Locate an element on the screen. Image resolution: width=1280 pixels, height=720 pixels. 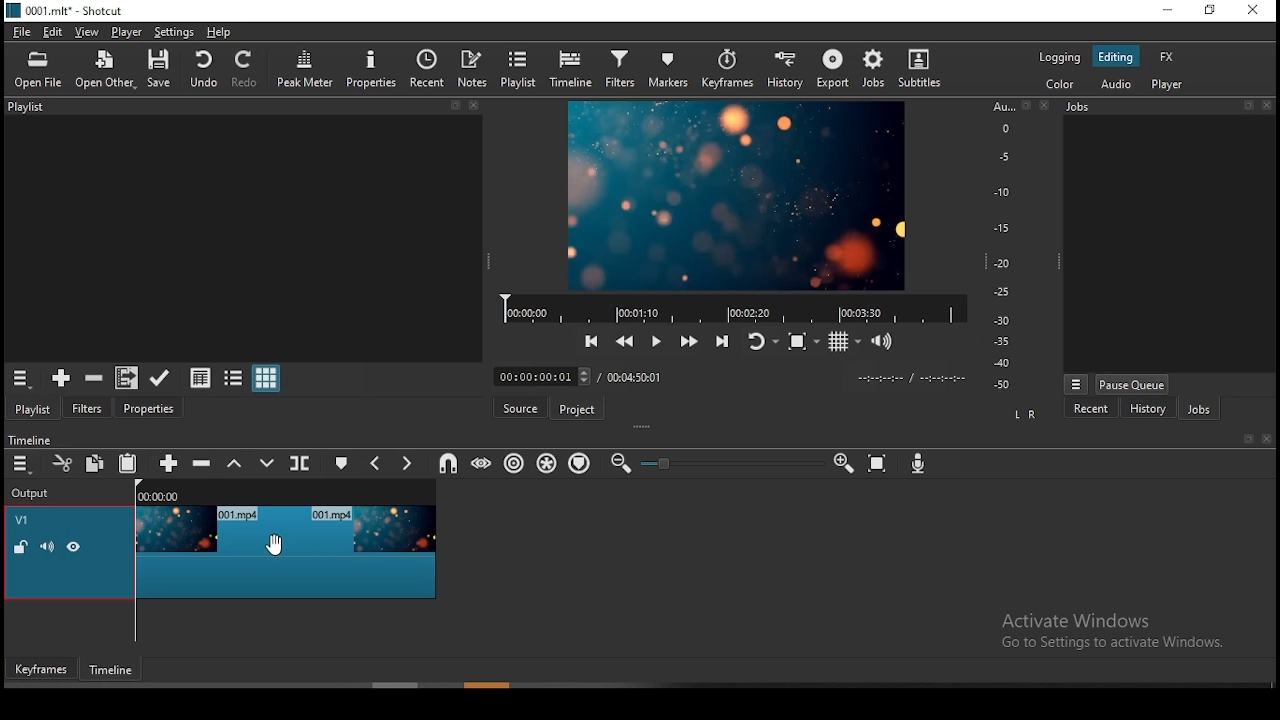
play quickly backward is located at coordinates (627, 339).